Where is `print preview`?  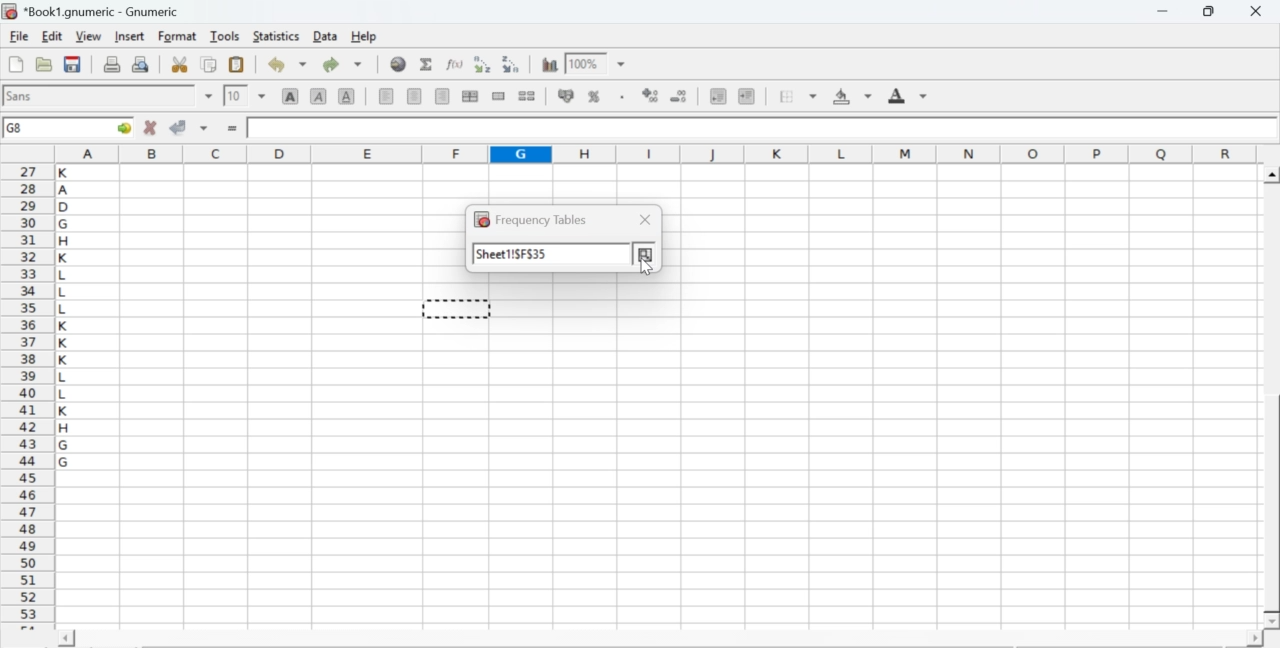
print preview is located at coordinates (141, 63).